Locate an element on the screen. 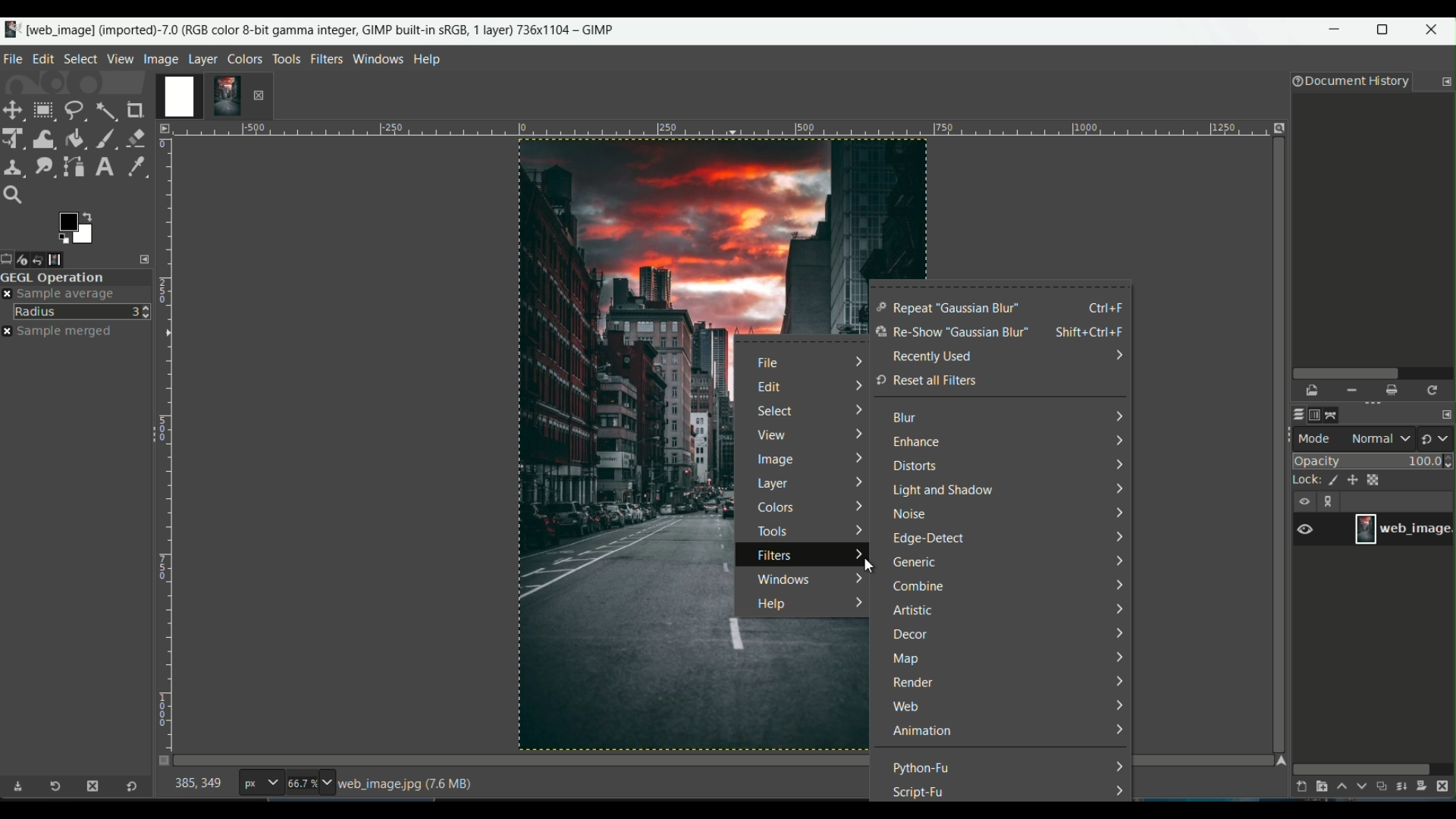 The width and height of the screenshot is (1456, 819). tools tab is located at coordinates (286, 58).